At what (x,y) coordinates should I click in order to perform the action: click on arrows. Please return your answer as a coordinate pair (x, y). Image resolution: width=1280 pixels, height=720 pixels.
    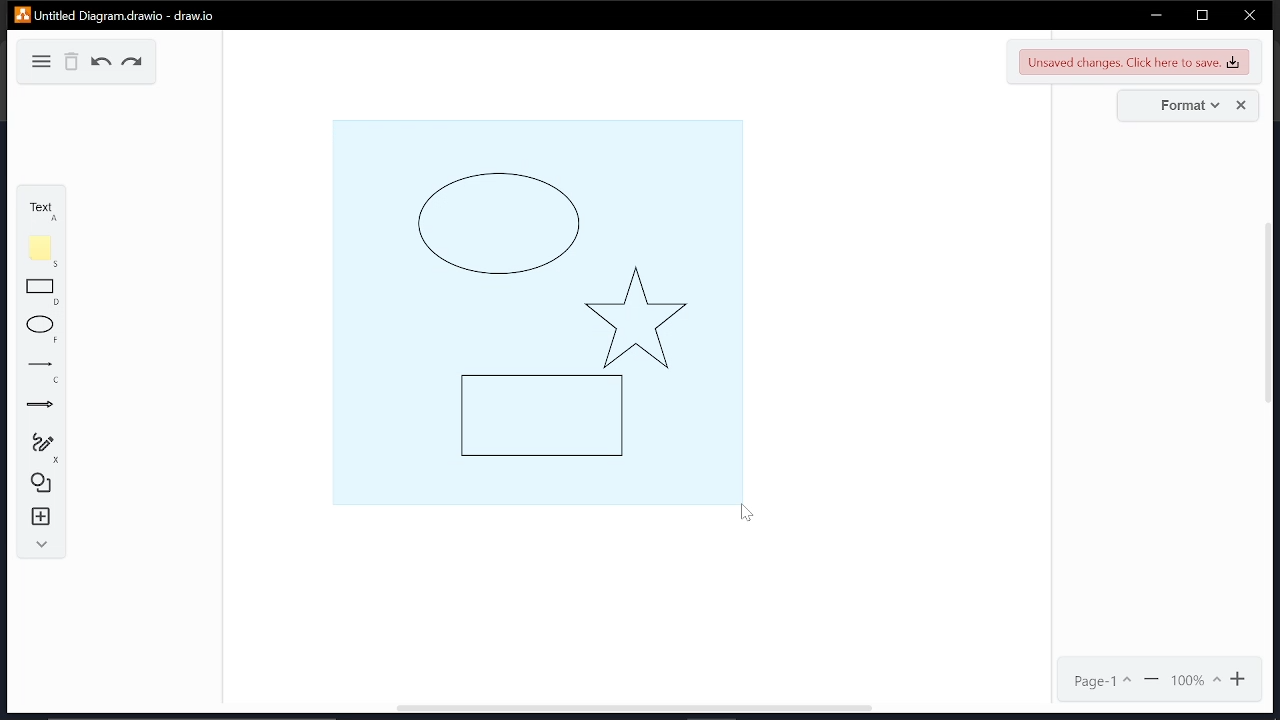
    Looking at the image, I should click on (40, 407).